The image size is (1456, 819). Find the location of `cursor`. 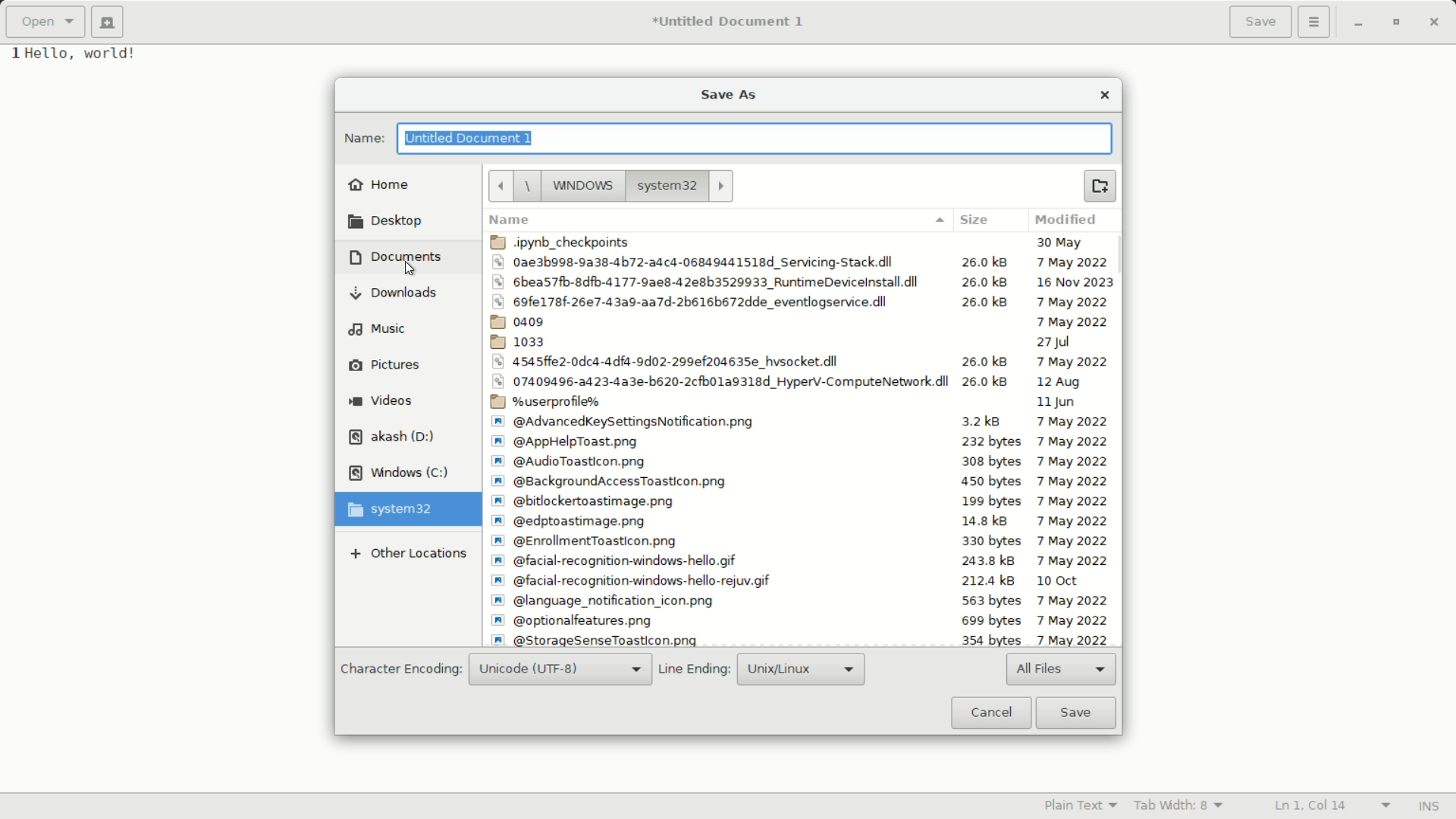

cursor is located at coordinates (408, 270).